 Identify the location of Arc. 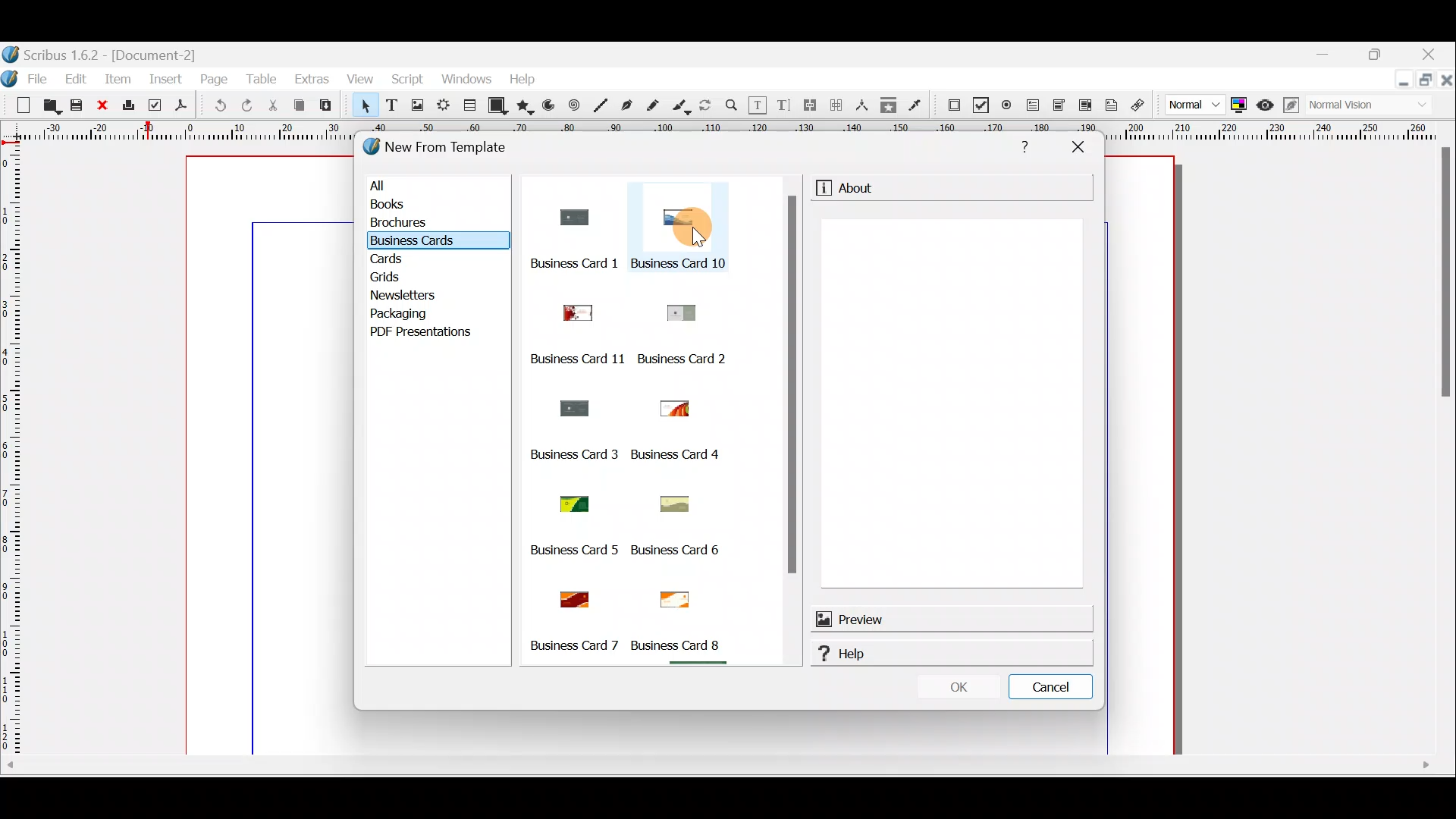
(549, 107).